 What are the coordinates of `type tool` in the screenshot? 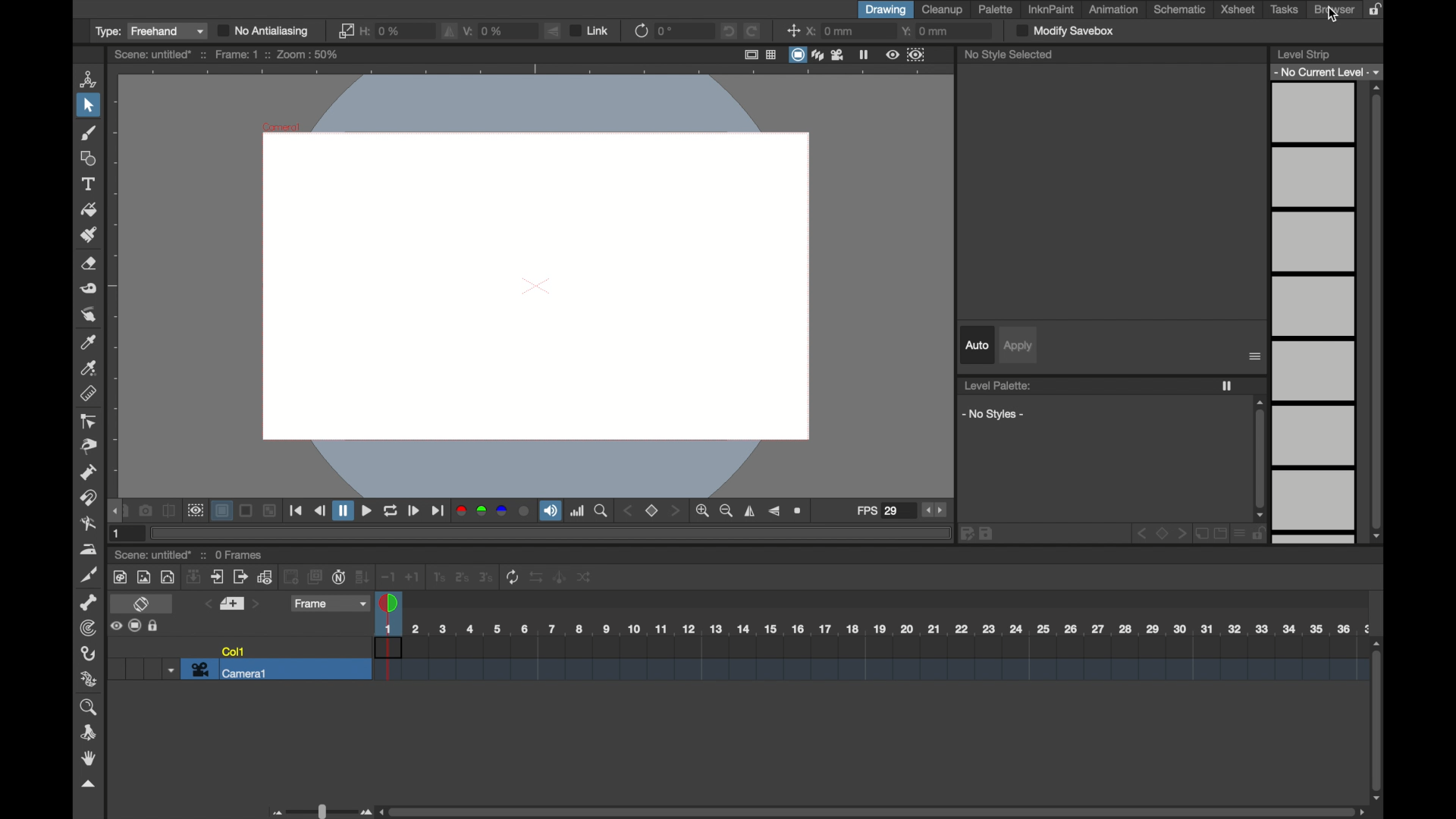 It's located at (90, 184).